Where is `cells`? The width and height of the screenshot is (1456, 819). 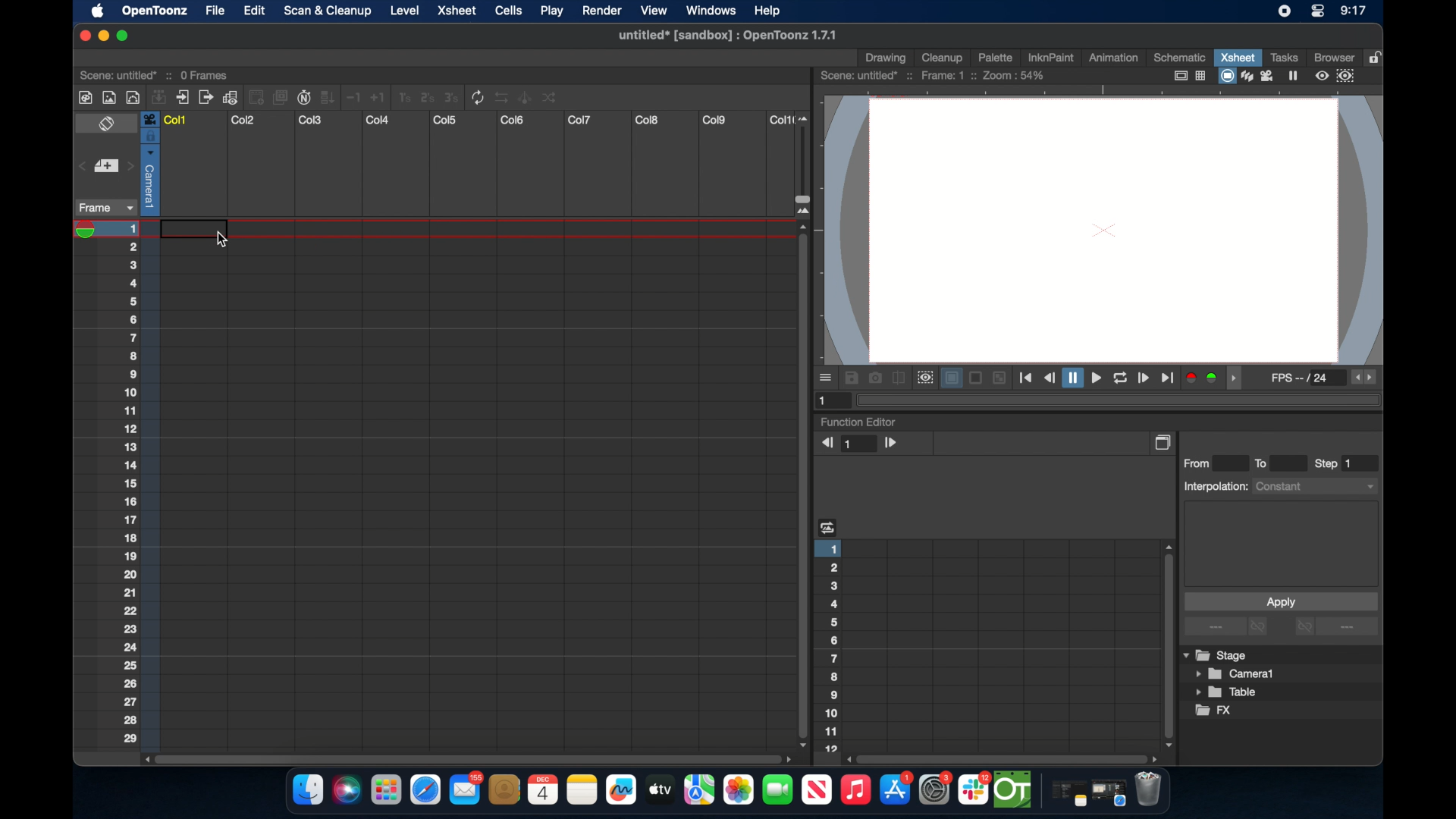
cells is located at coordinates (508, 11).